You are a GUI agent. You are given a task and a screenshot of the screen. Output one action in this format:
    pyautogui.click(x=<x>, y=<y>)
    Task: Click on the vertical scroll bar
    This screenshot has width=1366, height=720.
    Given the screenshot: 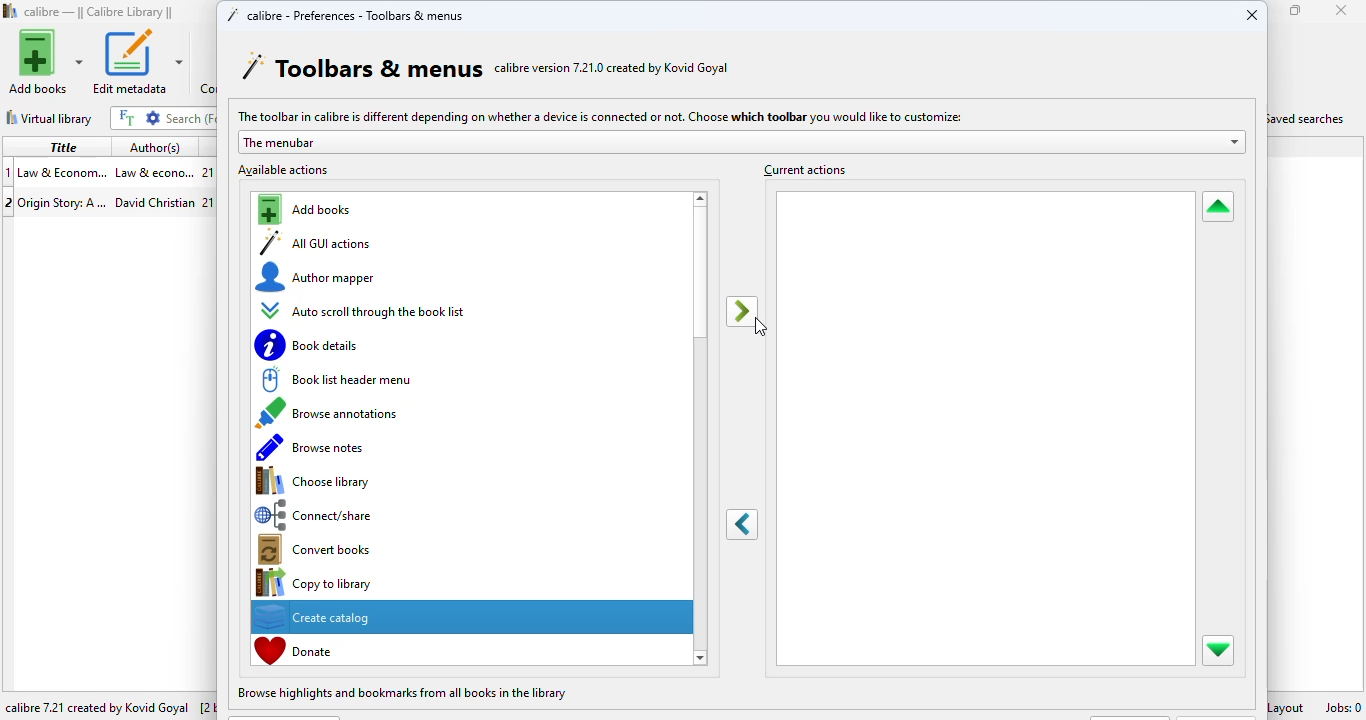 What is the action you would take?
    pyautogui.click(x=700, y=275)
    